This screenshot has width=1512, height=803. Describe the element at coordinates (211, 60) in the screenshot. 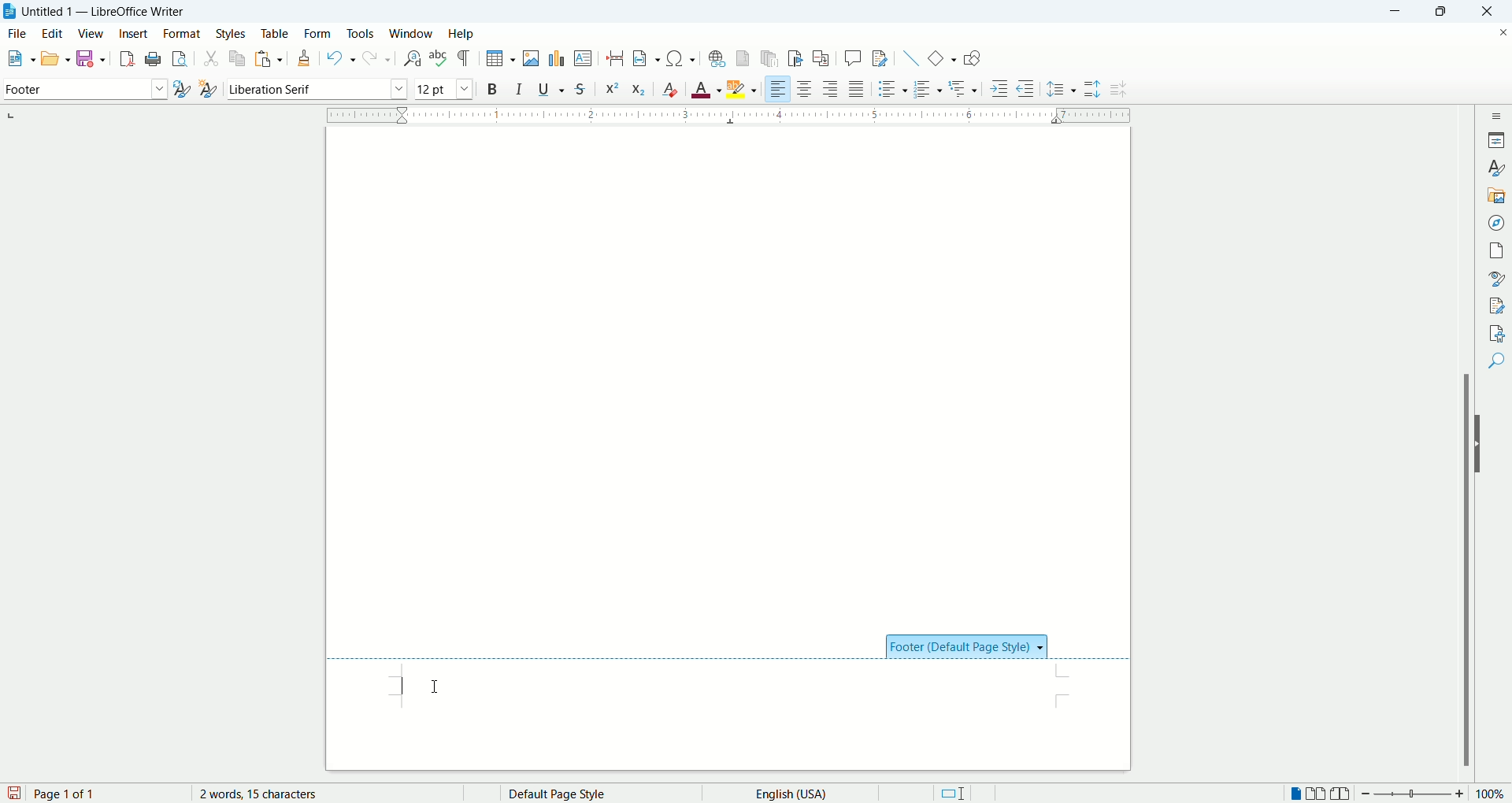

I see `cut` at that location.